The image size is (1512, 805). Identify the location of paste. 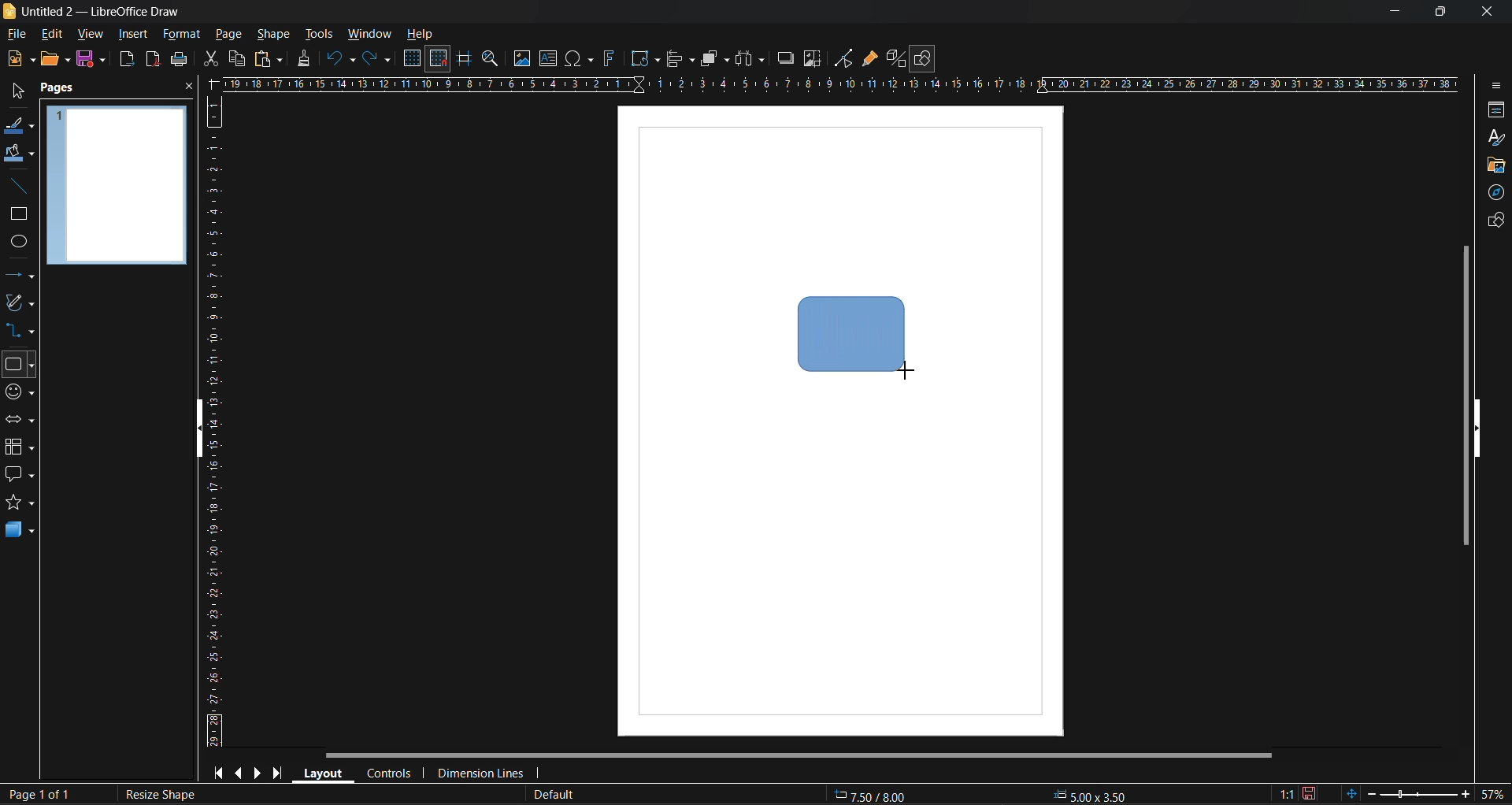
(269, 61).